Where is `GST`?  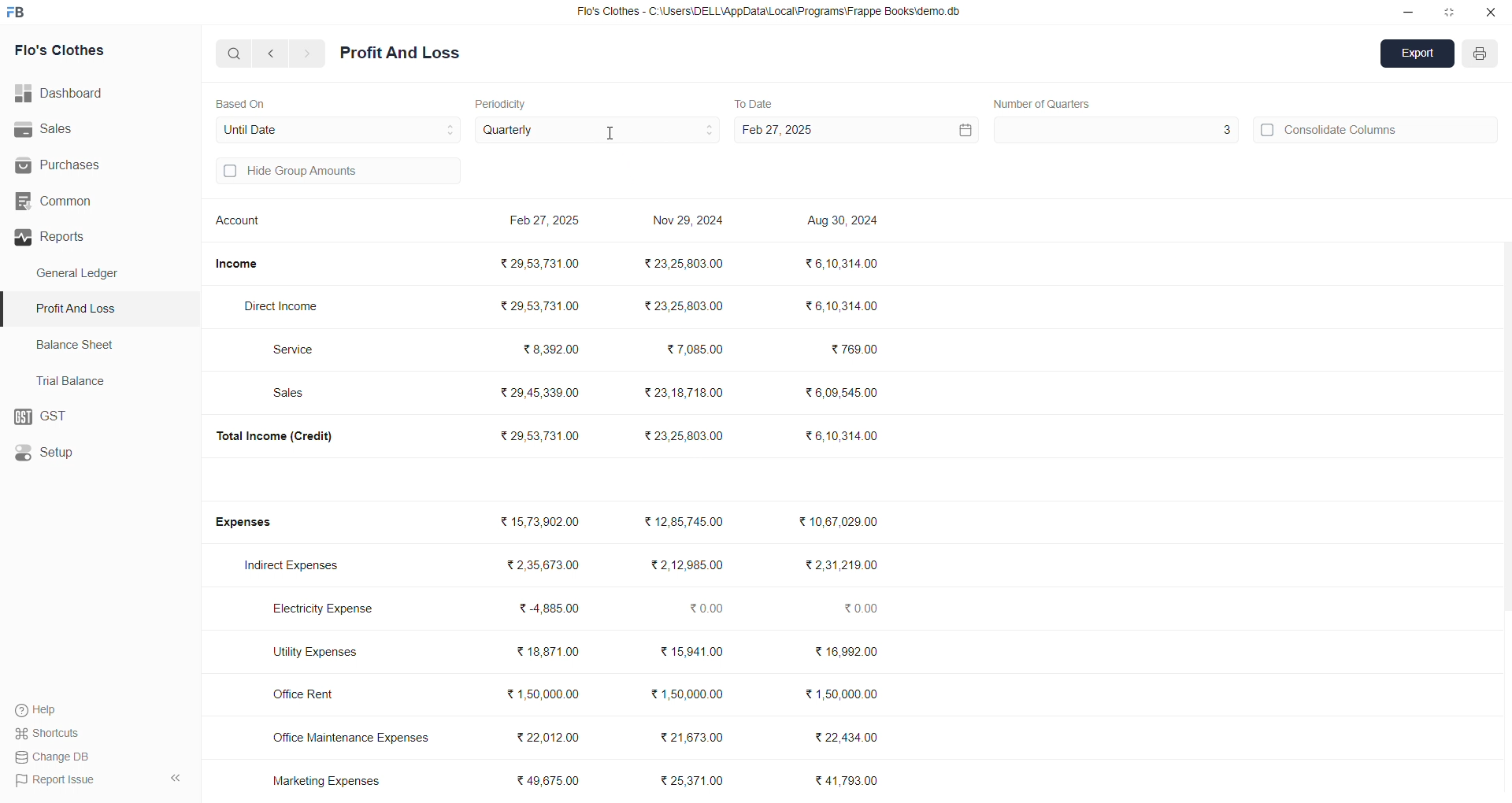
GST is located at coordinates (98, 417).